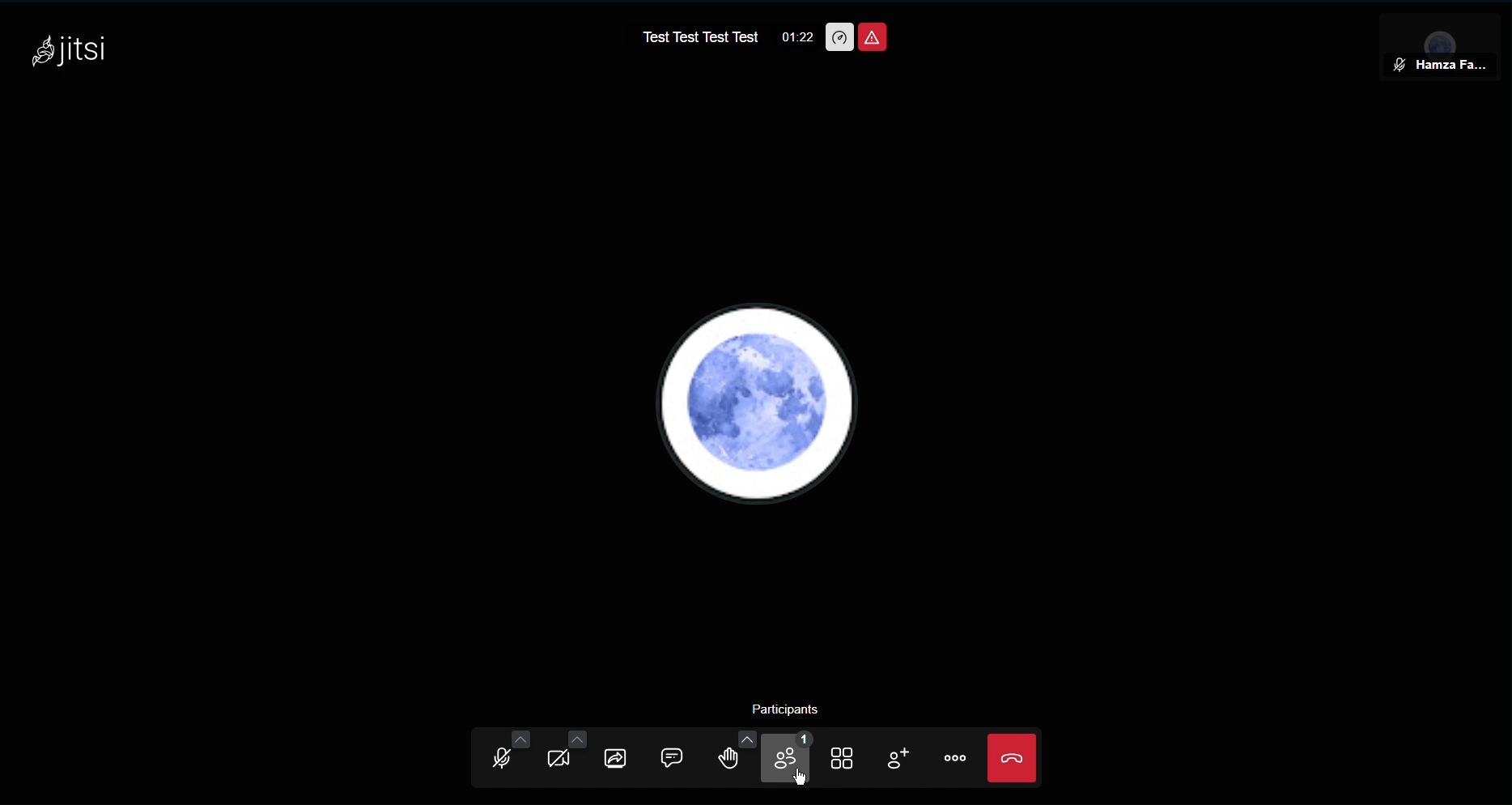 Image resolution: width=1512 pixels, height=805 pixels. What do you see at coordinates (557, 756) in the screenshot?
I see `Video` at bounding box center [557, 756].